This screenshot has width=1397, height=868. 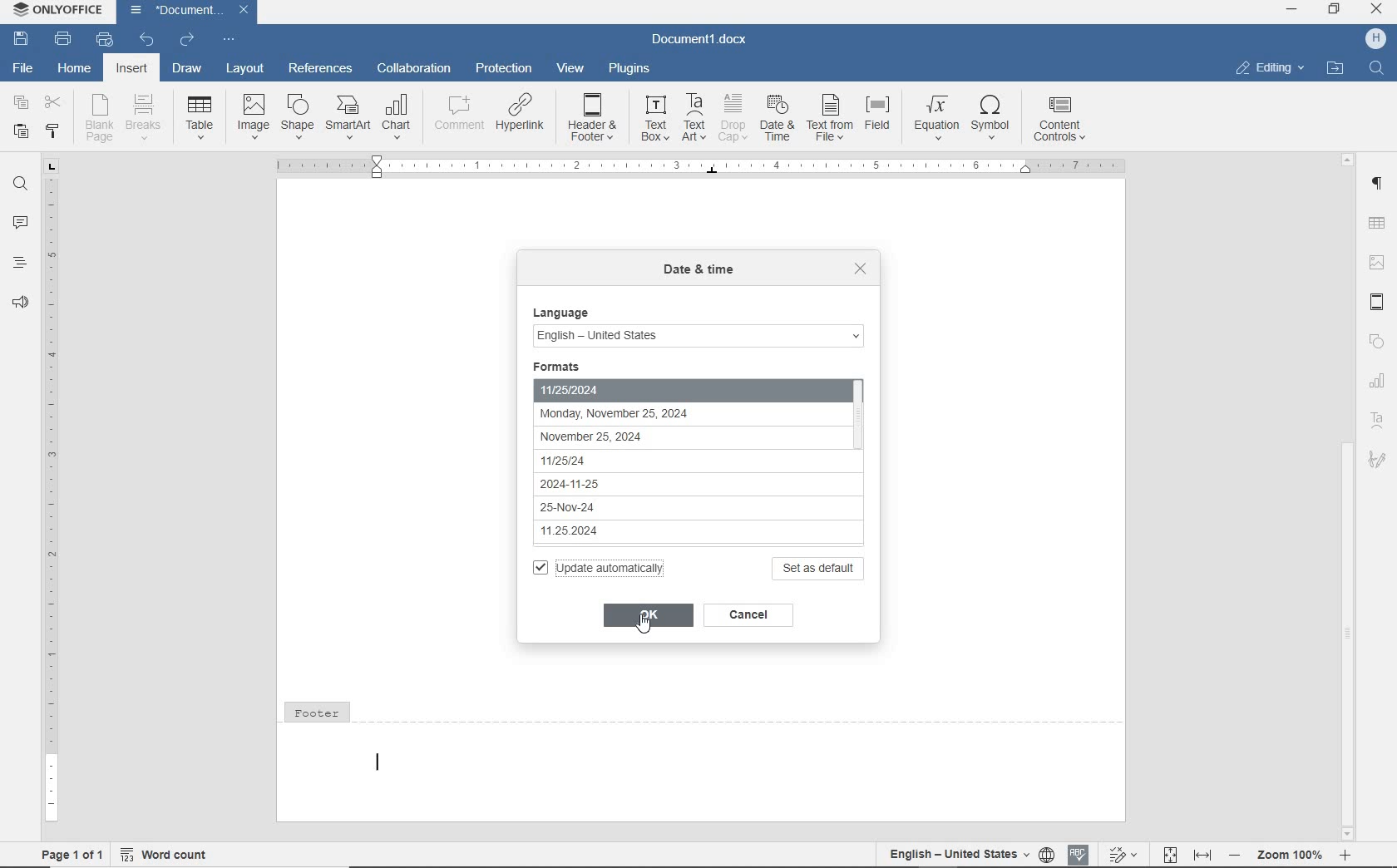 I want to click on content controls, so click(x=1063, y=121).